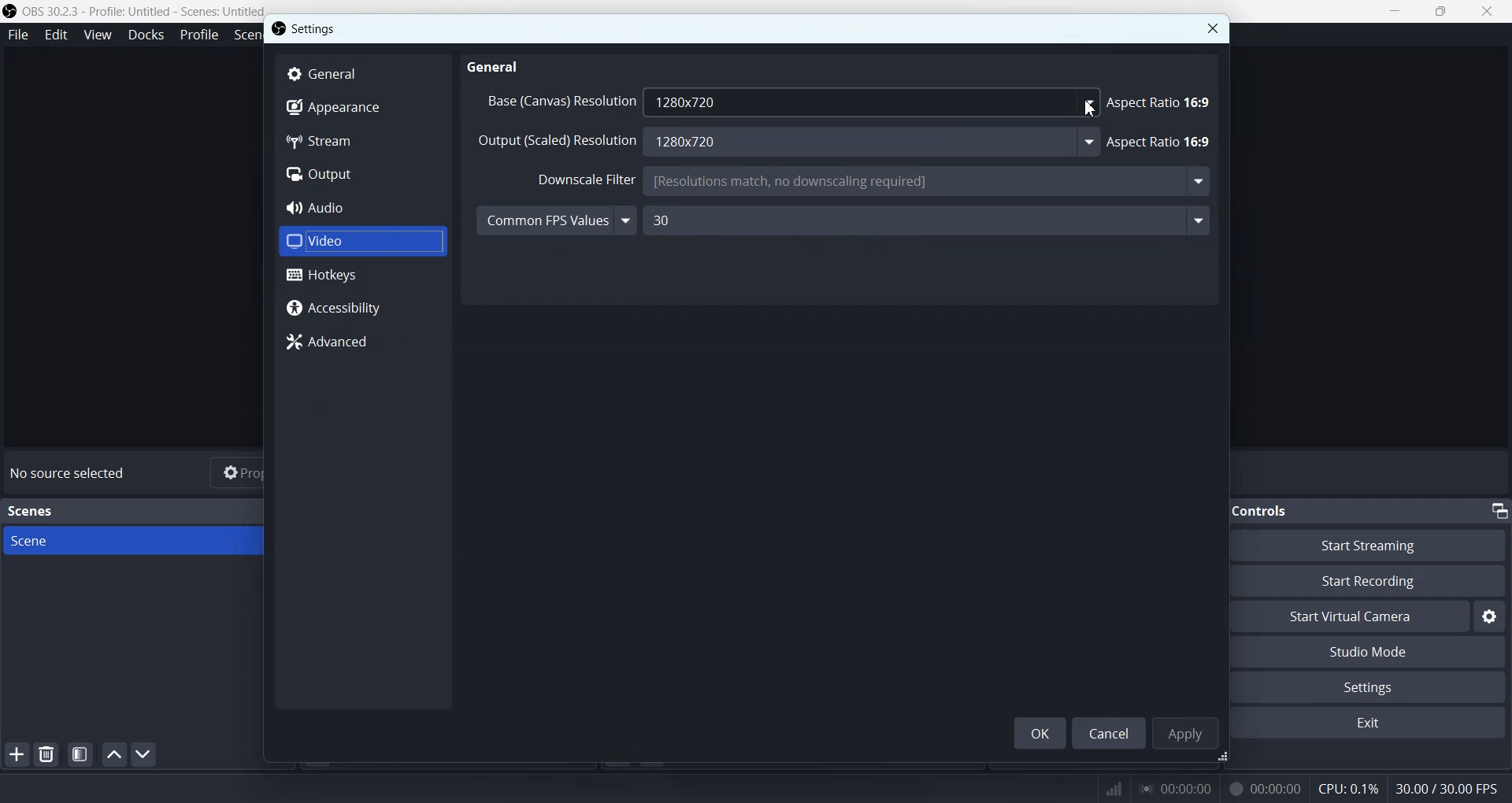  Describe the element at coordinates (143, 754) in the screenshot. I see `Move scene down` at that location.